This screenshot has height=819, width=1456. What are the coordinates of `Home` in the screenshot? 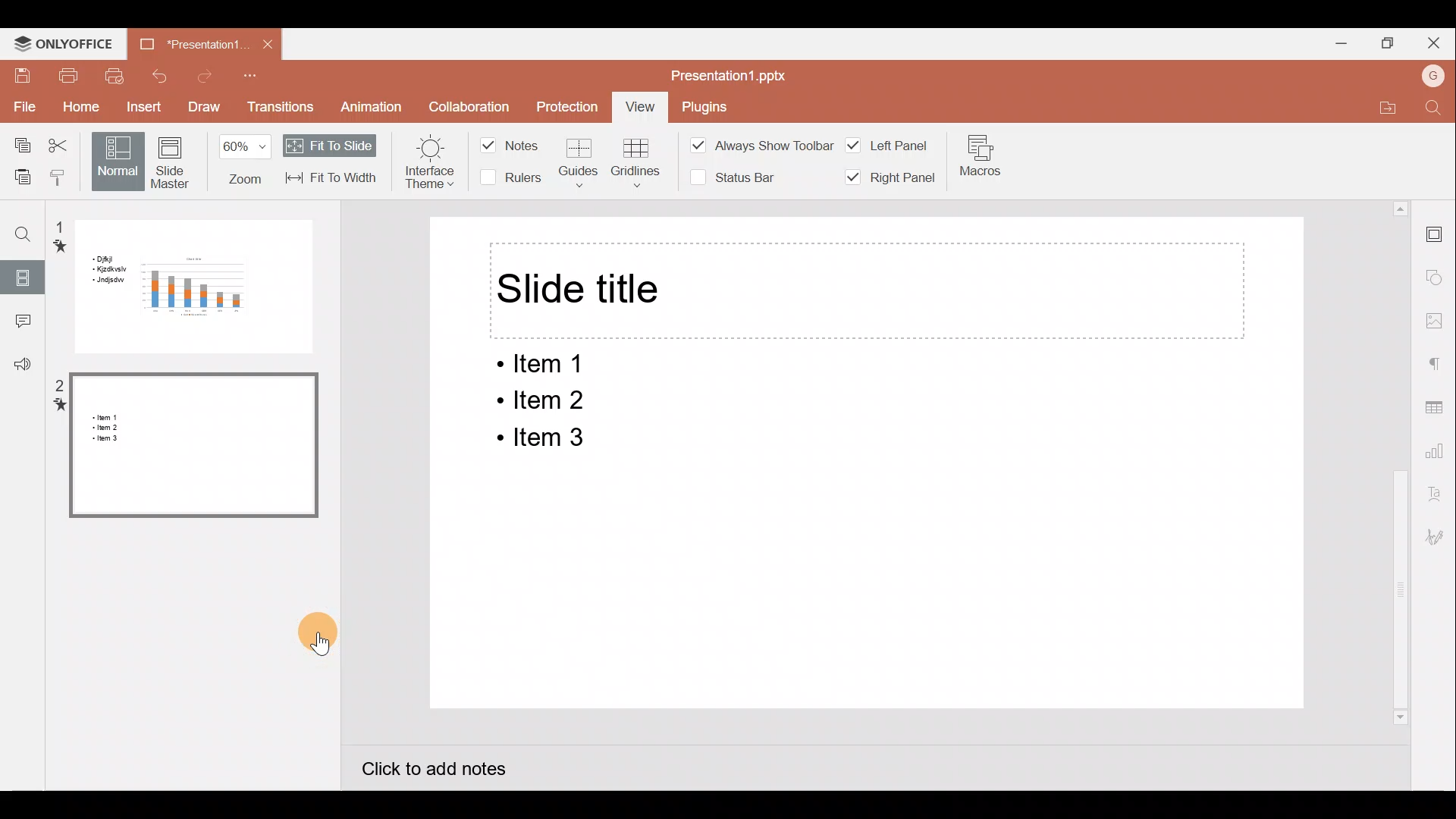 It's located at (80, 107).